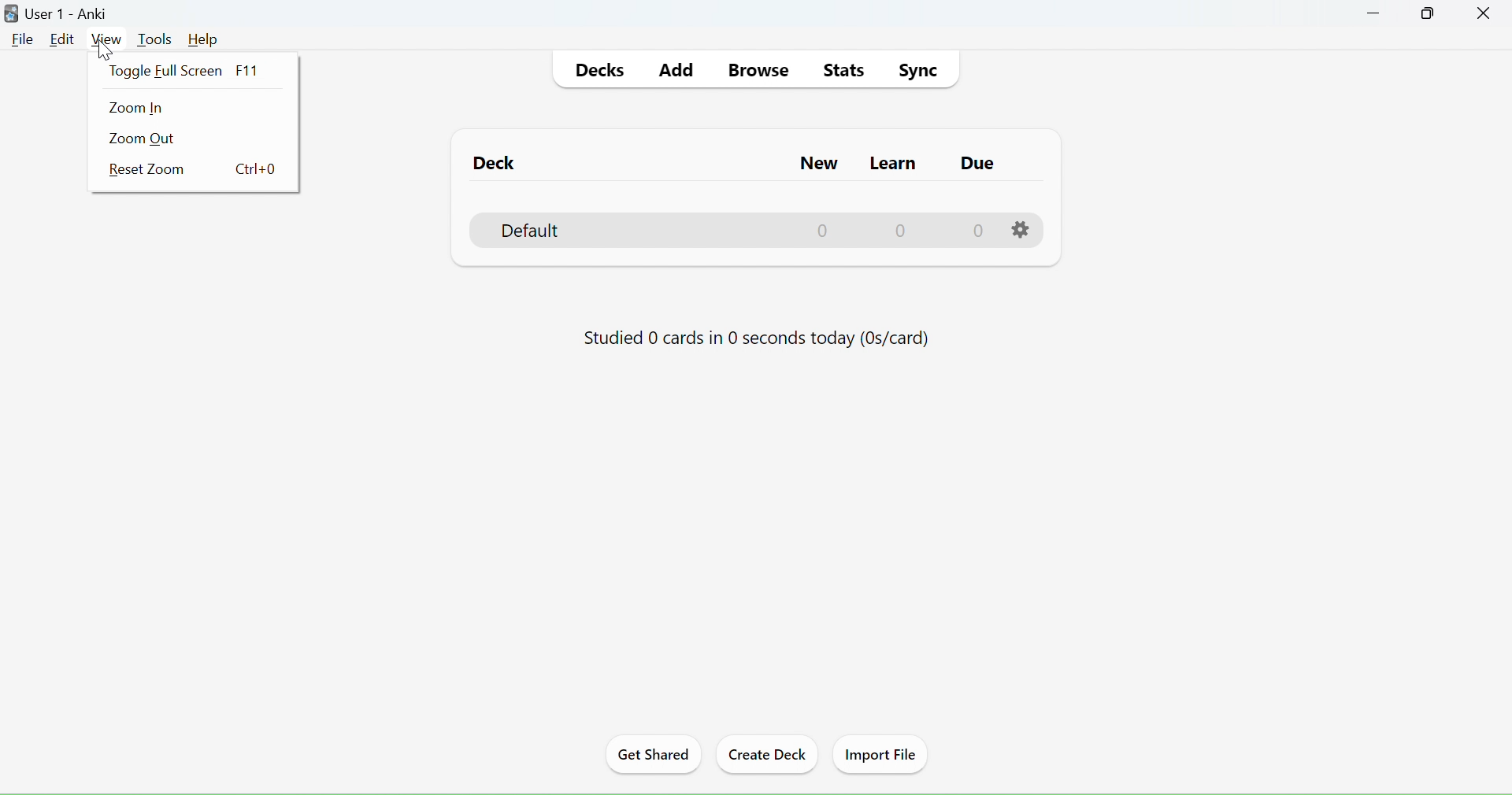 This screenshot has width=1512, height=795. I want to click on User 1 - Anki, so click(72, 13).